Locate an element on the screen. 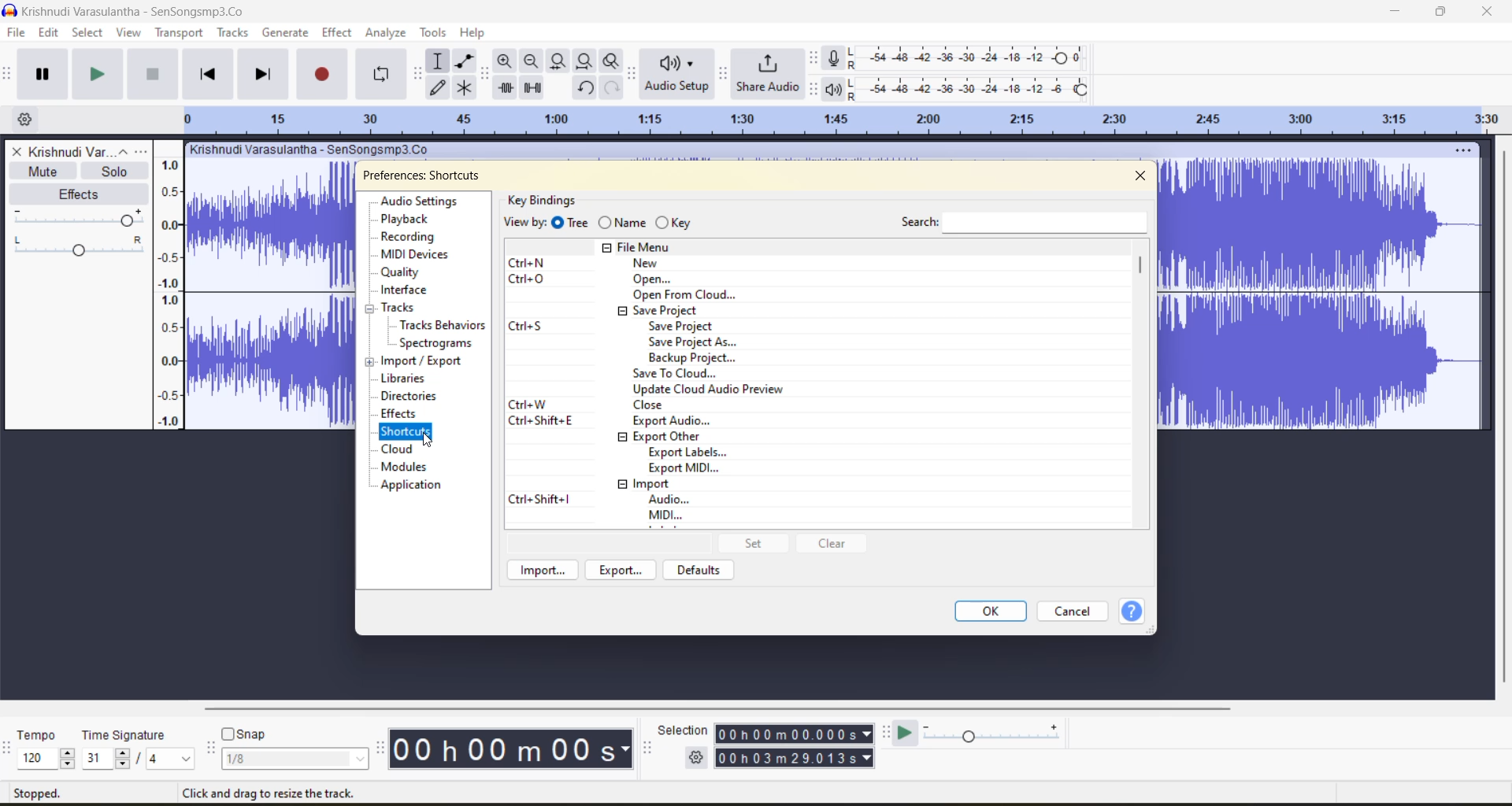  audio setup toolbar is located at coordinates (632, 73).